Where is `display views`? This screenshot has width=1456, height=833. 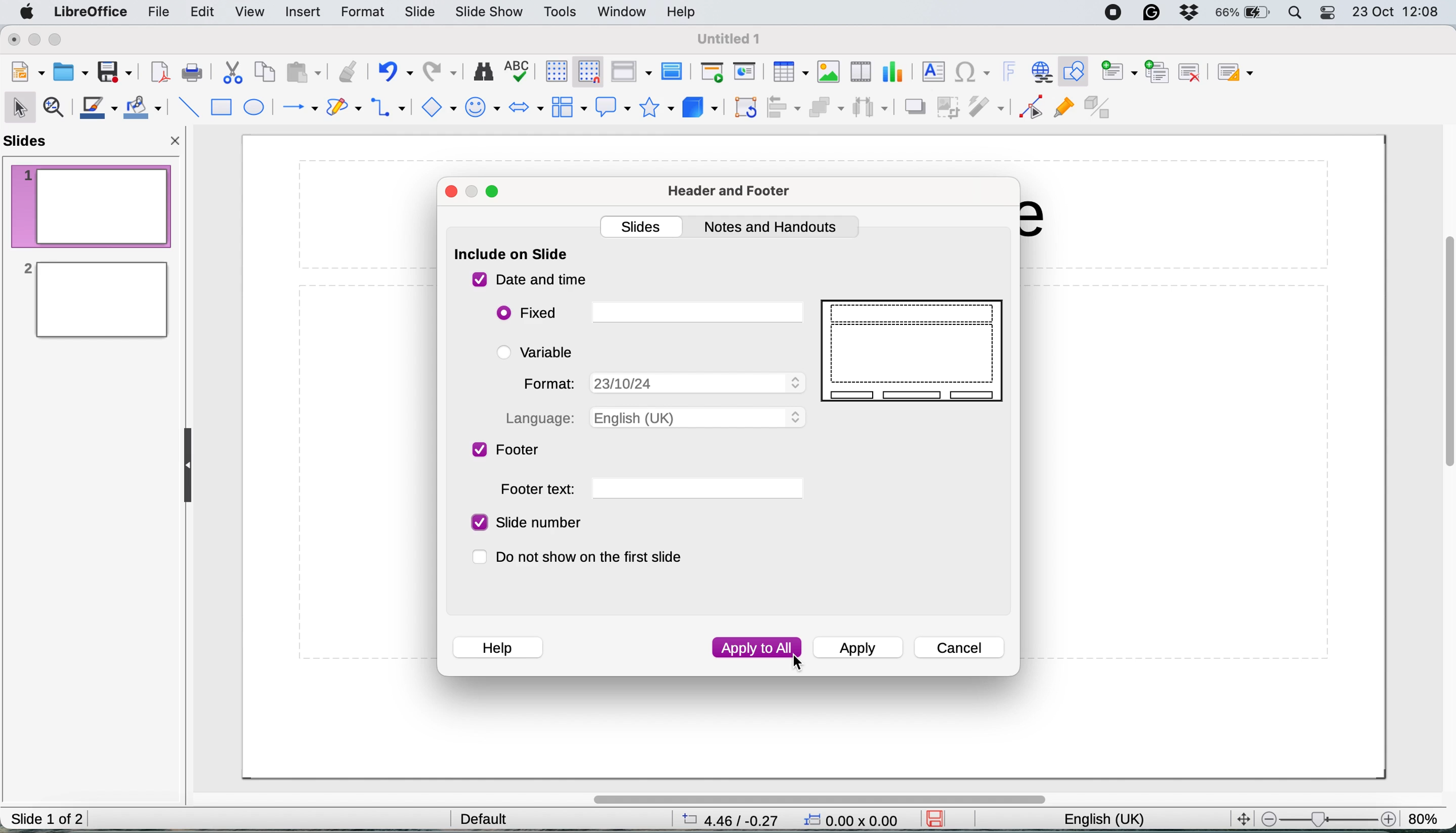
display views is located at coordinates (630, 72).